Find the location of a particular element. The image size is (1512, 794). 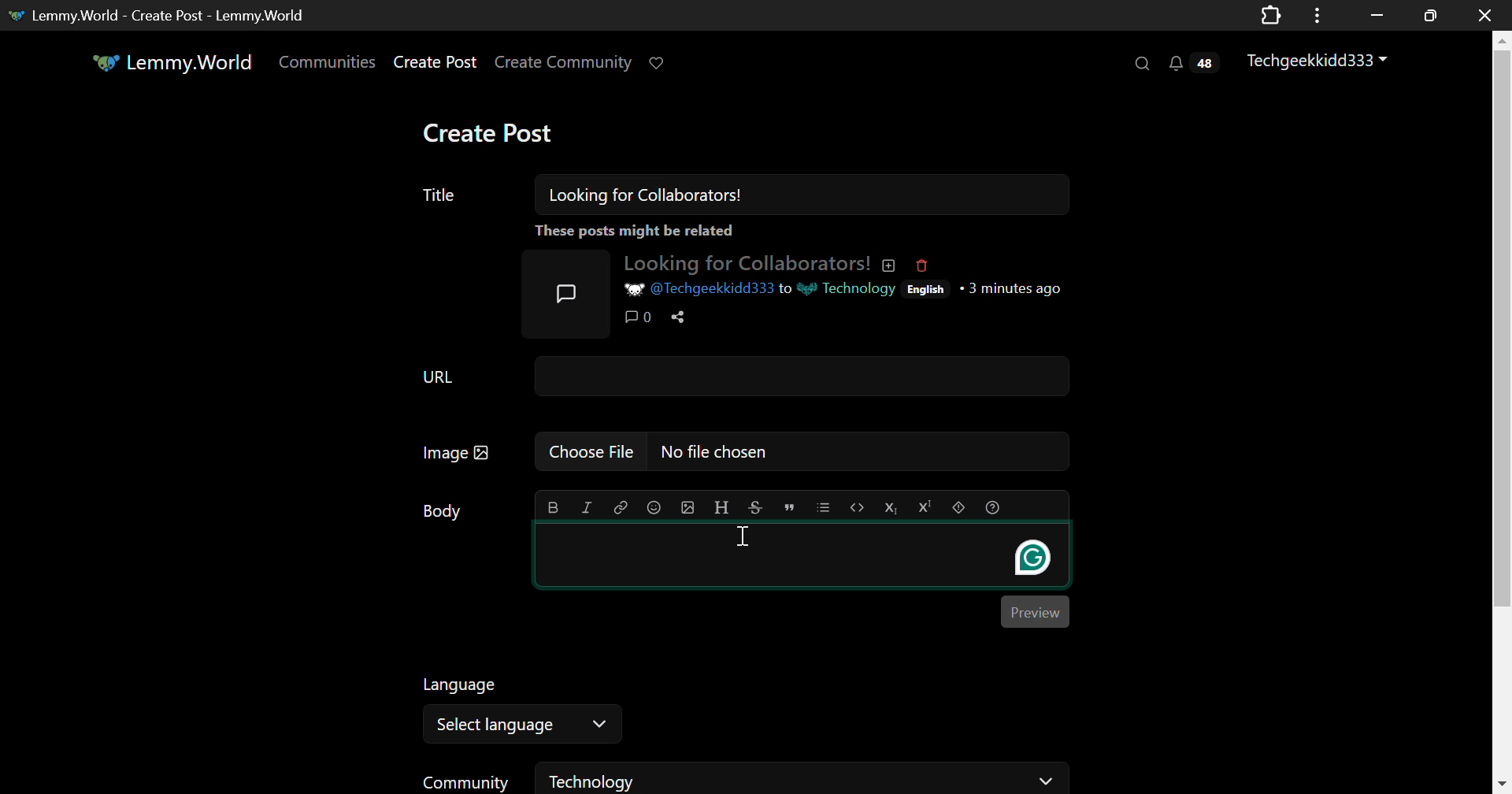

Restore Down is located at coordinates (1377, 15).